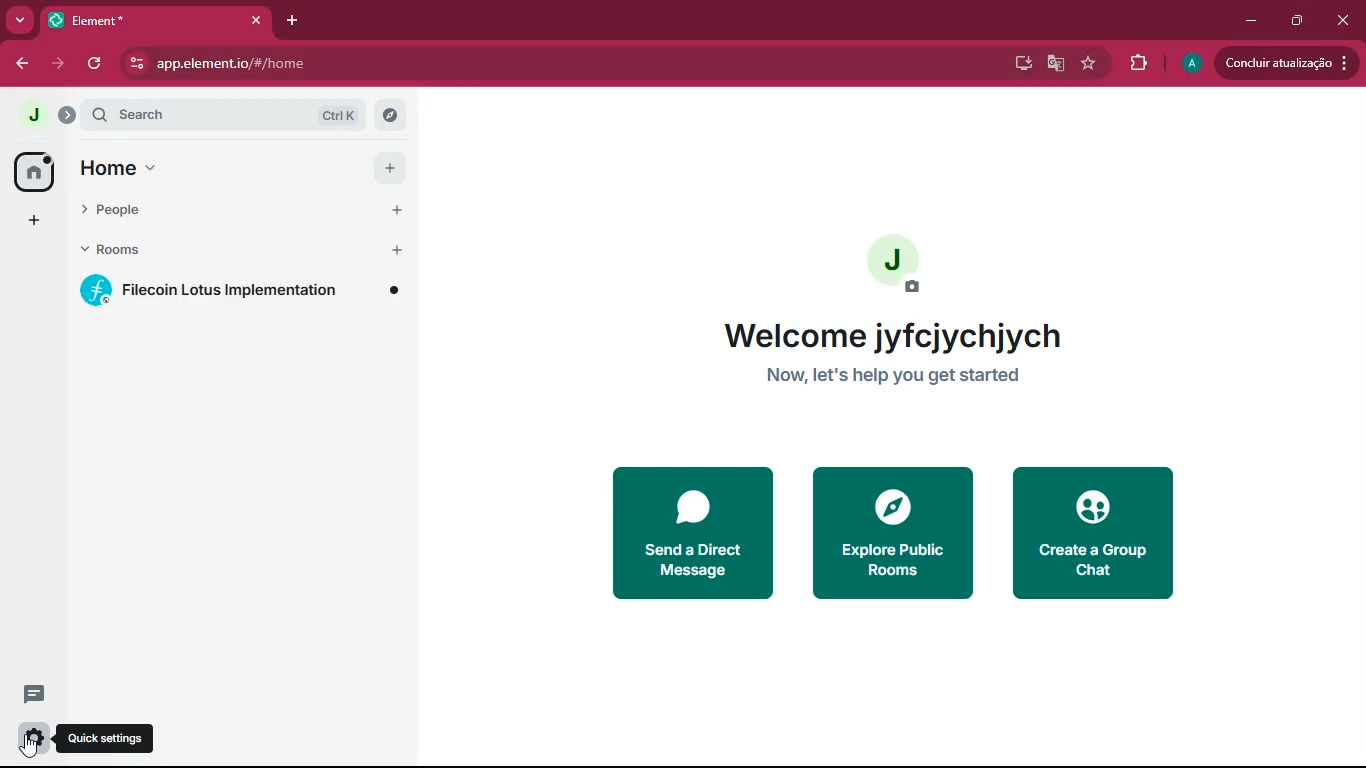 The width and height of the screenshot is (1366, 768). Describe the element at coordinates (131, 249) in the screenshot. I see `rooms` at that location.